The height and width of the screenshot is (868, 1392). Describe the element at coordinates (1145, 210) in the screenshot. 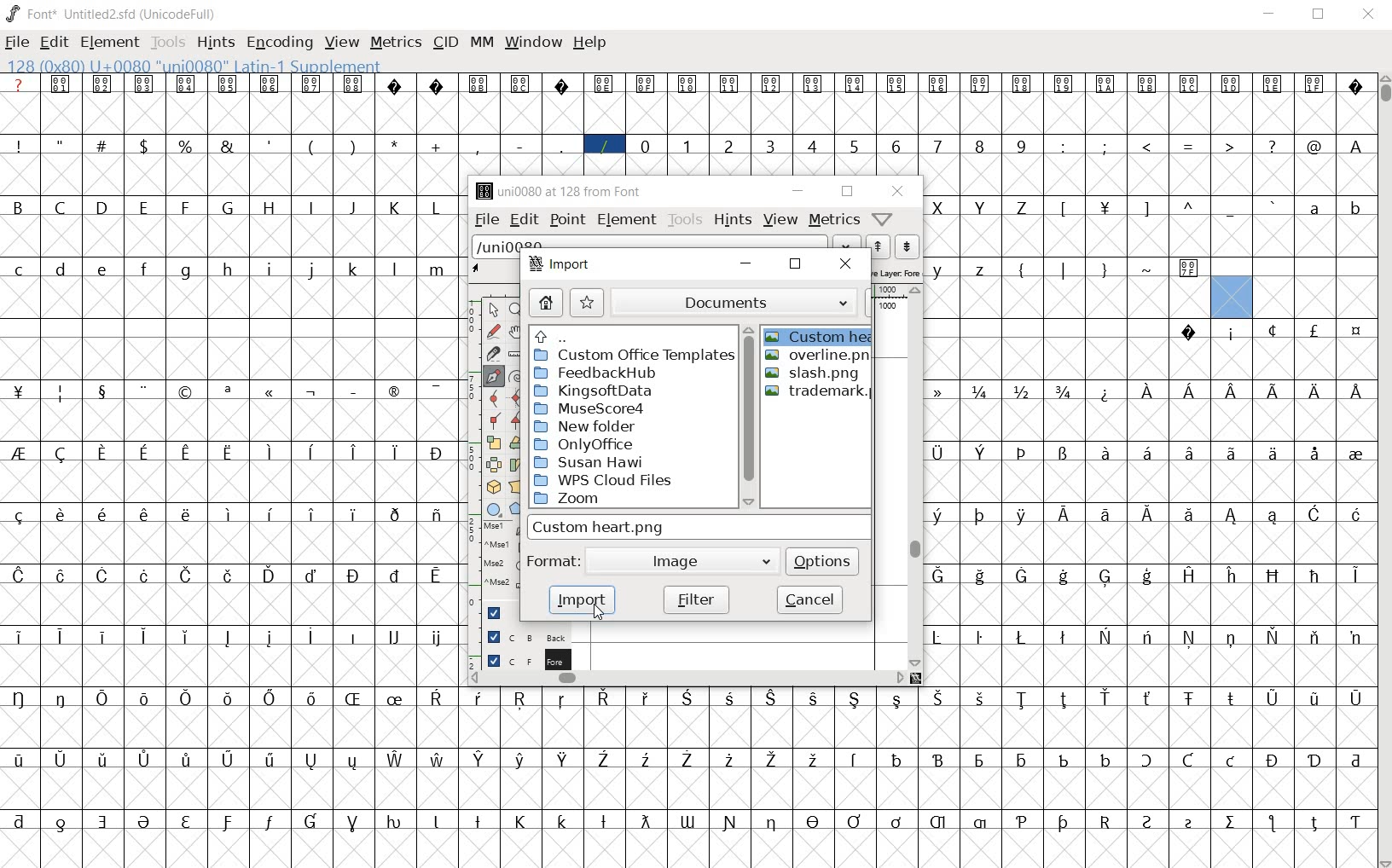

I see `glyph` at that location.